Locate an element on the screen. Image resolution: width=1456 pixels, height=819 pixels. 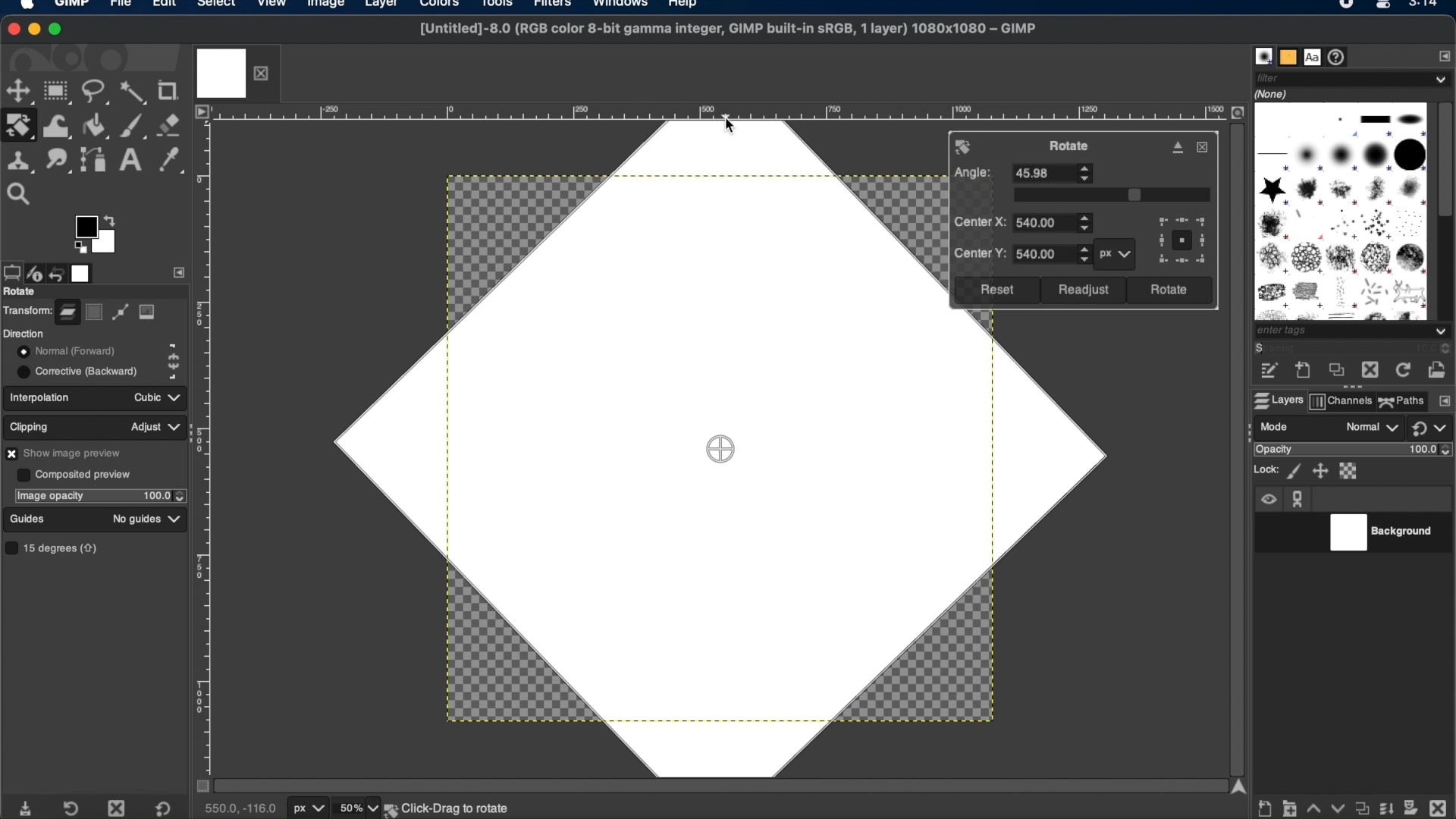
raise this layer is located at coordinates (1313, 805).